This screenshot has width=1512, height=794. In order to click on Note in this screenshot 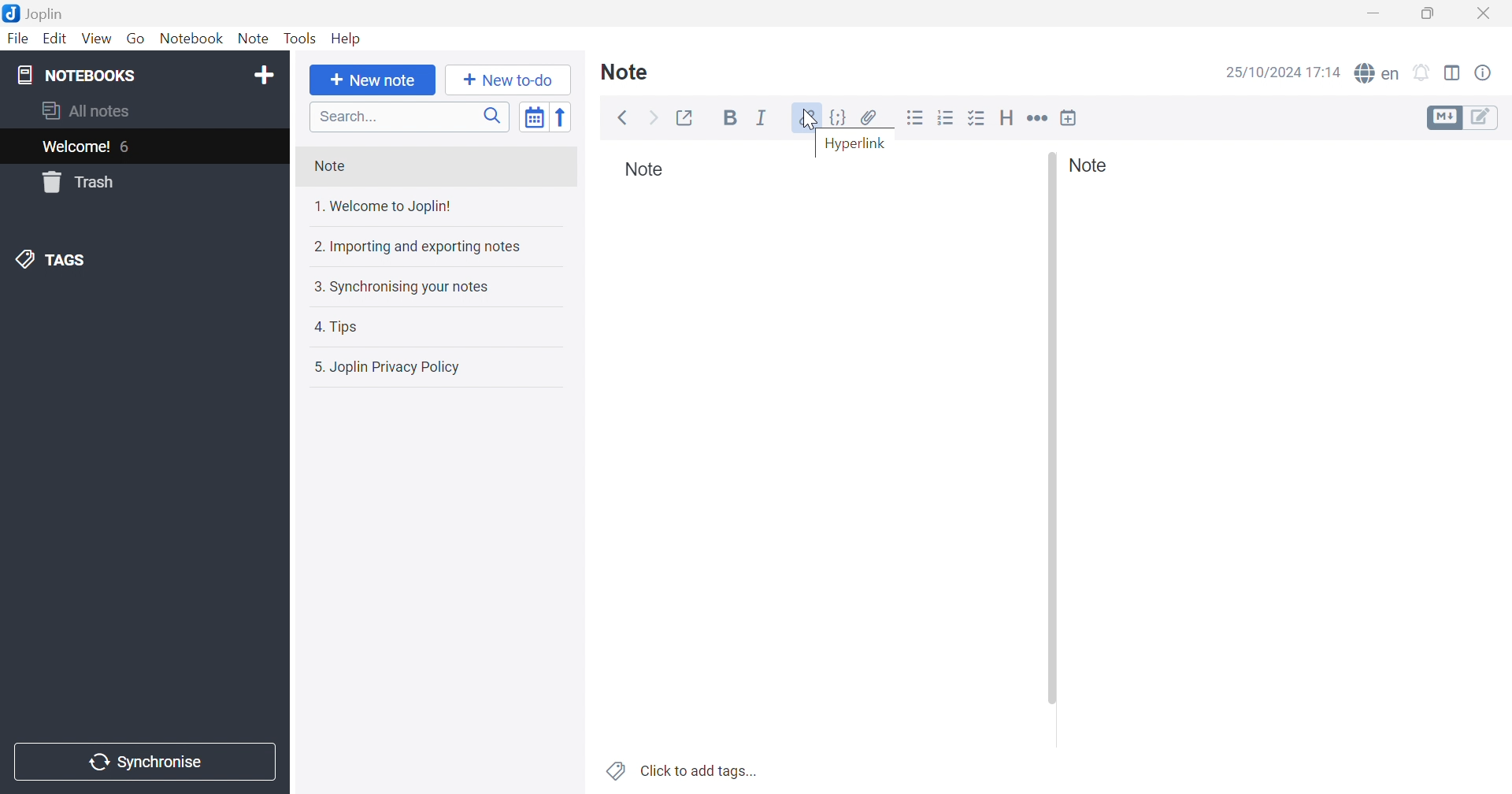, I will do `click(255, 39)`.